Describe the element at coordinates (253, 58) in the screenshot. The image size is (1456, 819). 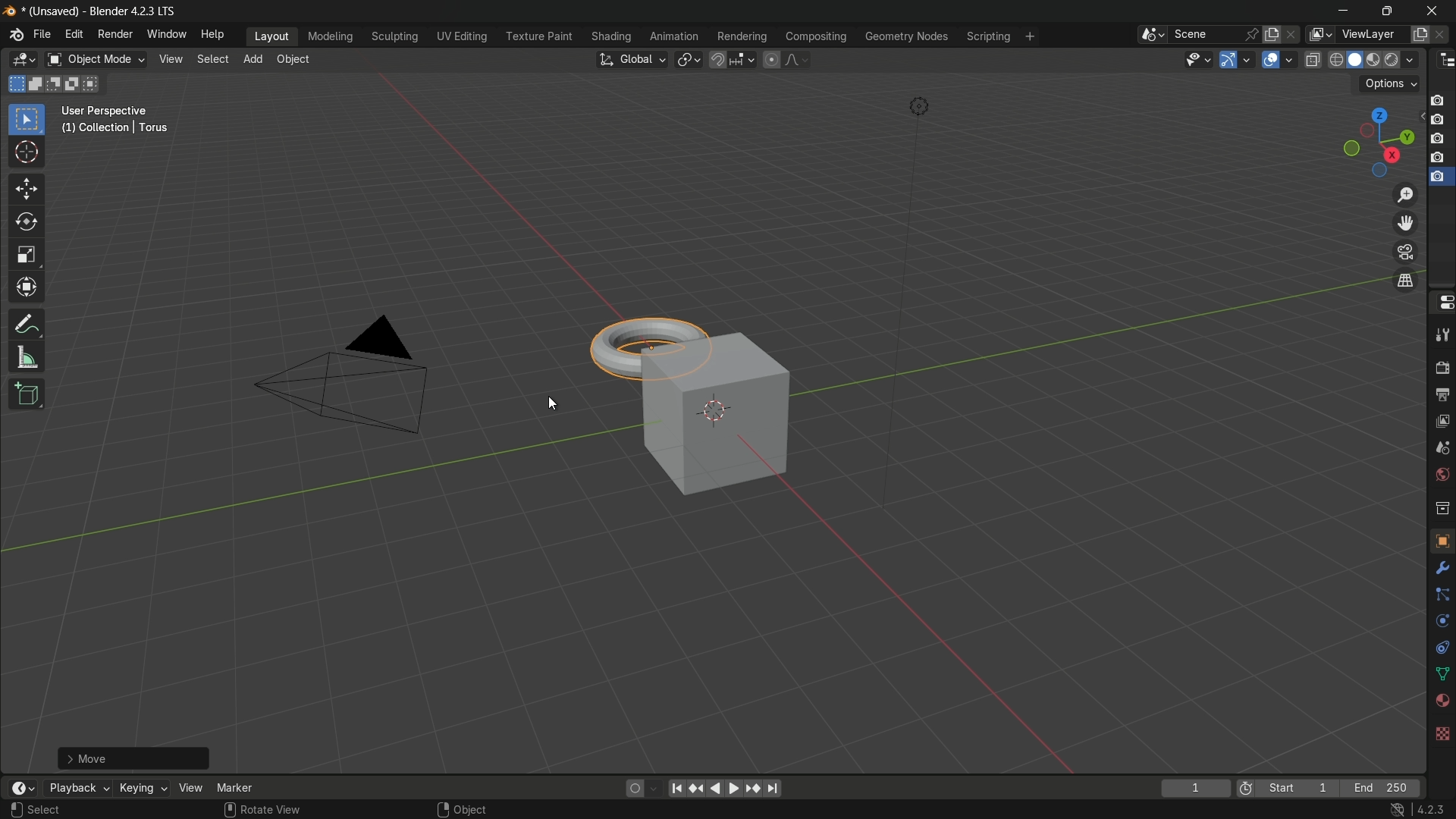
I see `add` at that location.